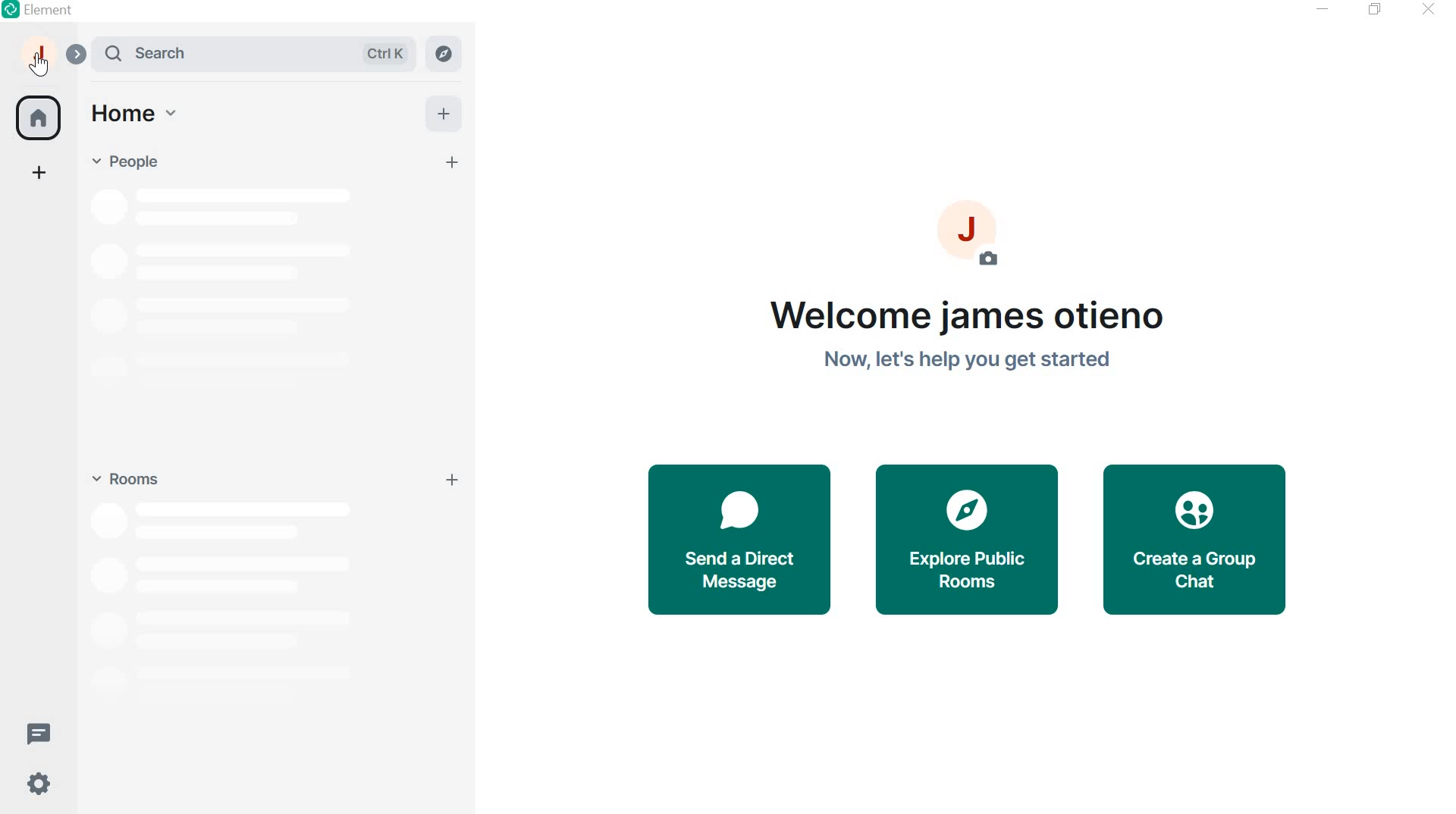  Describe the element at coordinates (79, 53) in the screenshot. I see `EXPAND` at that location.